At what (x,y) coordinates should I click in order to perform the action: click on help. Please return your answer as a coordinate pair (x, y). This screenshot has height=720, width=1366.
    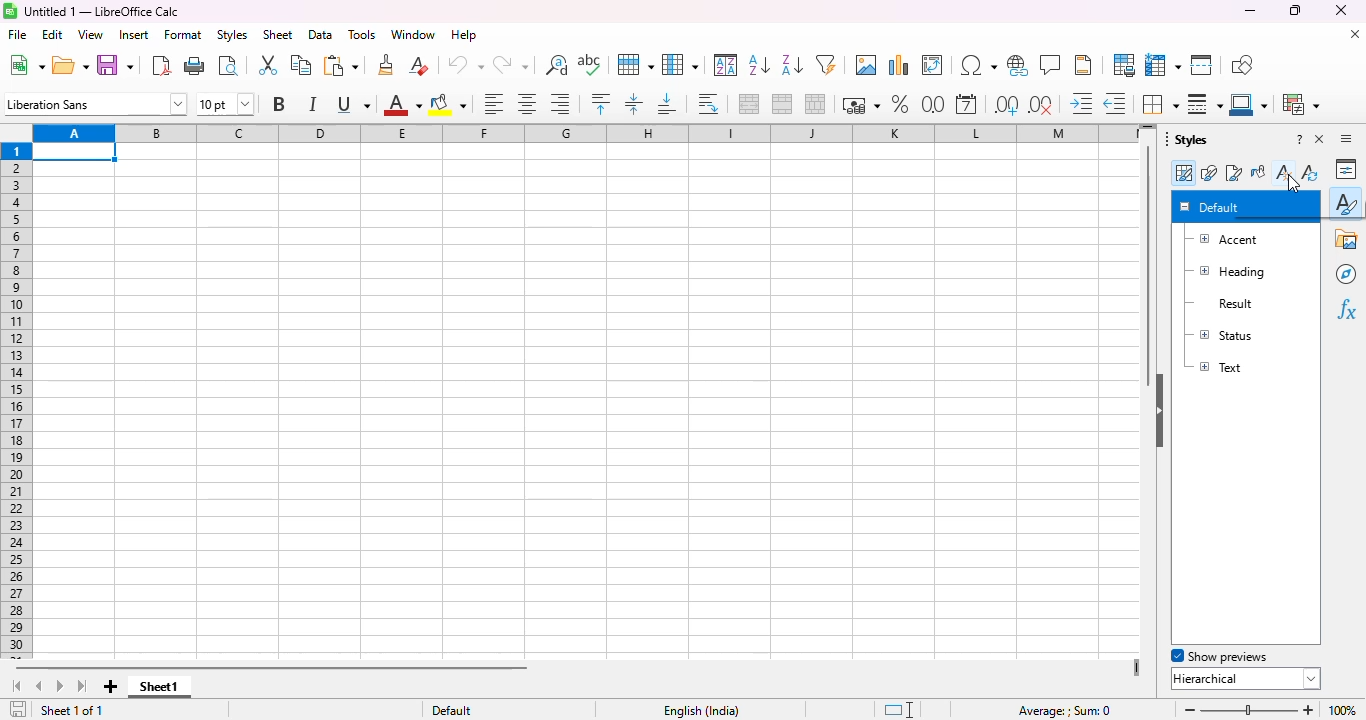
    Looking at the image, I should click on (464, 35).